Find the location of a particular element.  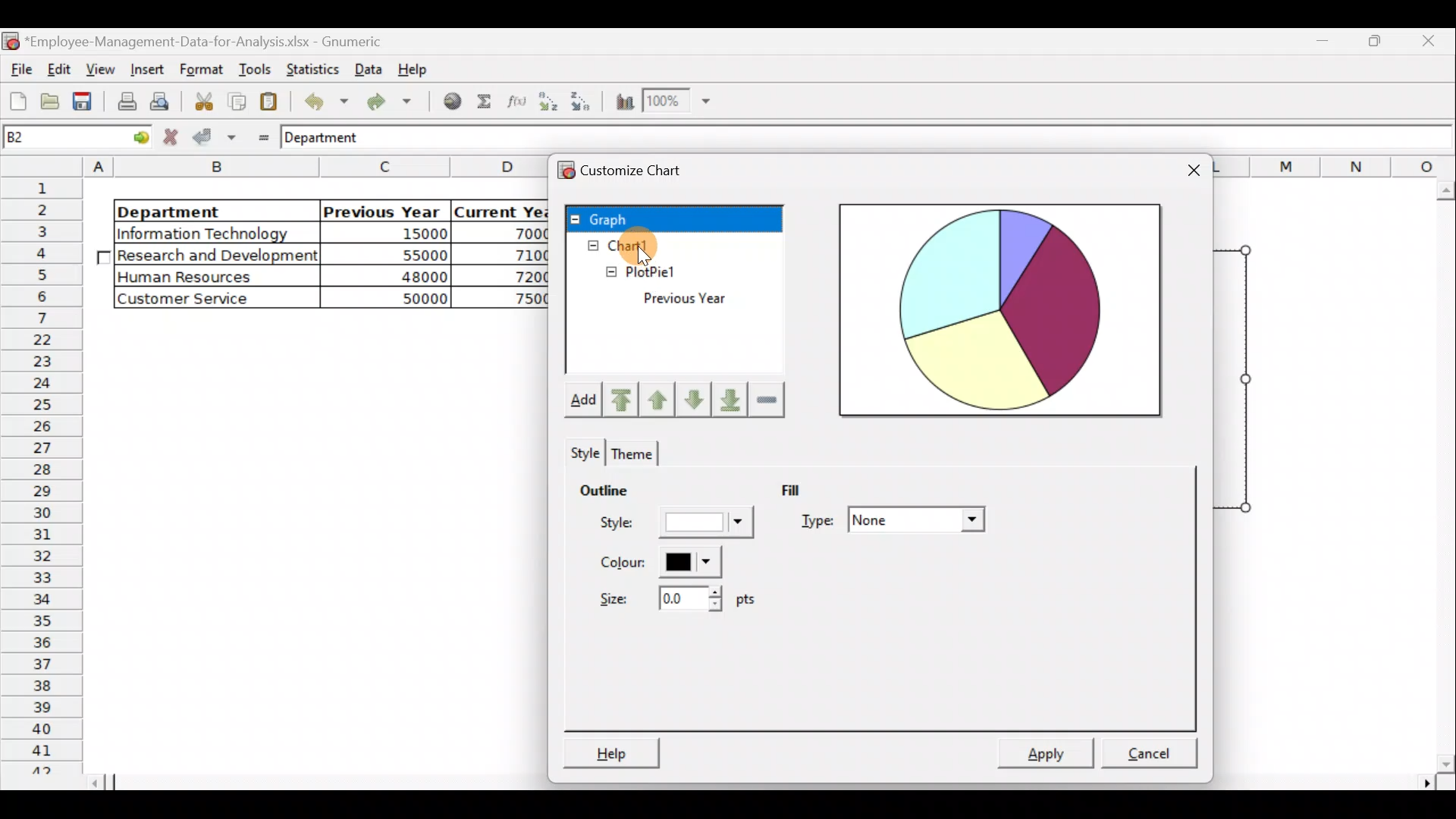

Move upward is located at coordinates (623, 400).